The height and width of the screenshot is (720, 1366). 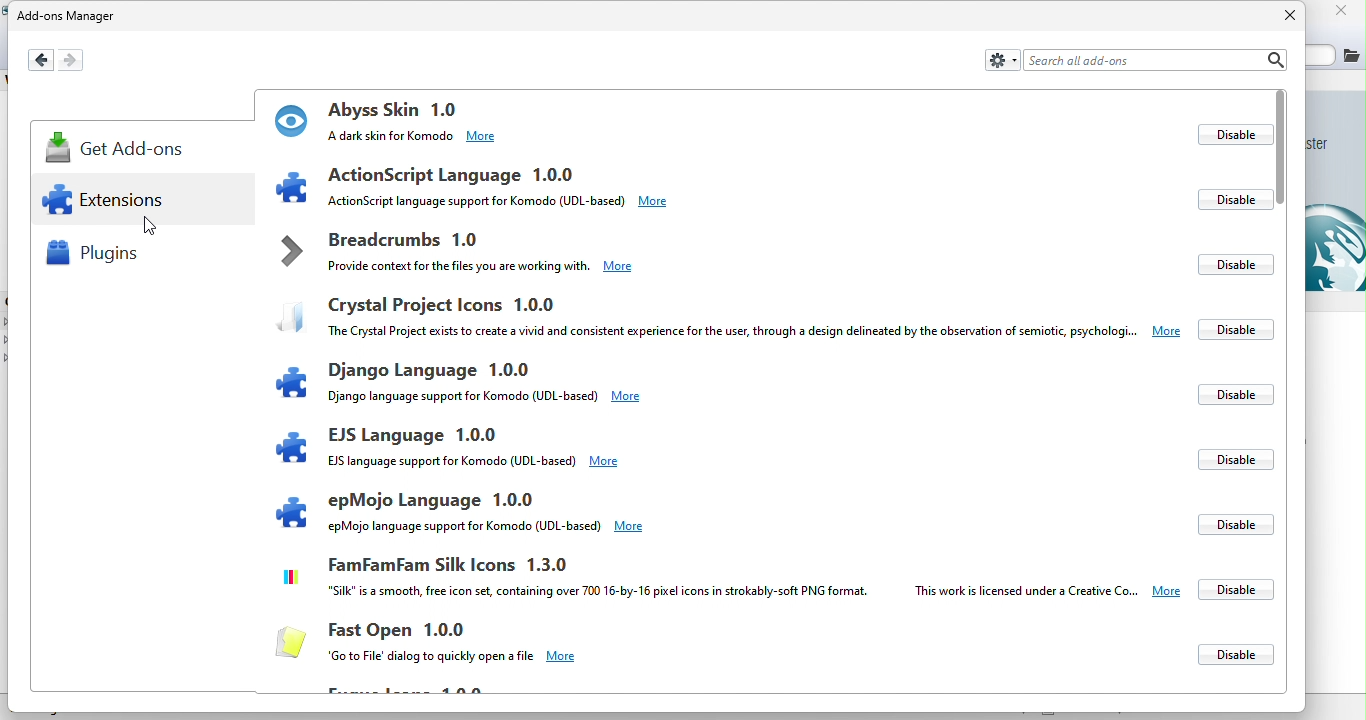 I want to click on setting, so click(x=1001, y=58).